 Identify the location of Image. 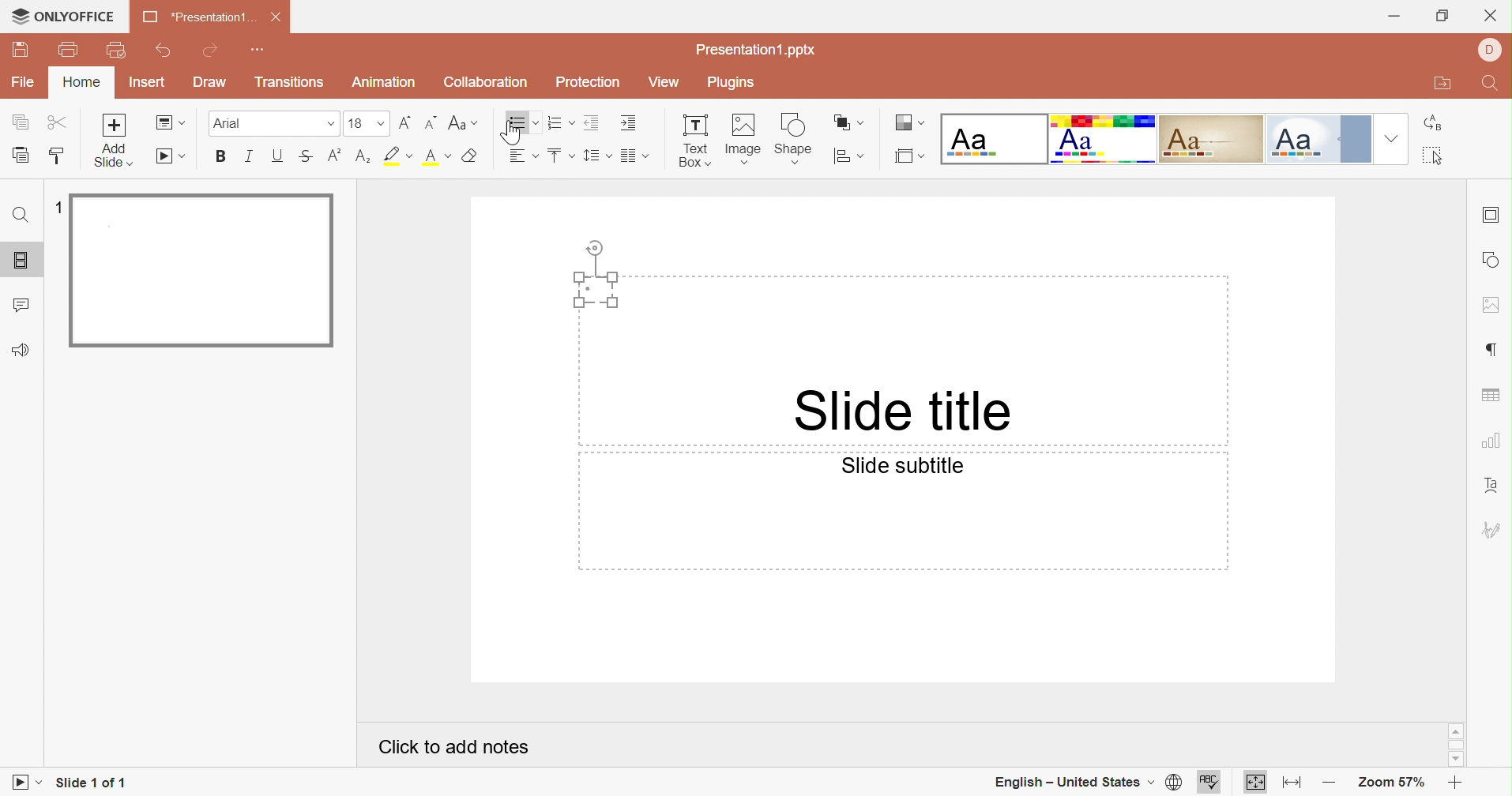
(745, 138).